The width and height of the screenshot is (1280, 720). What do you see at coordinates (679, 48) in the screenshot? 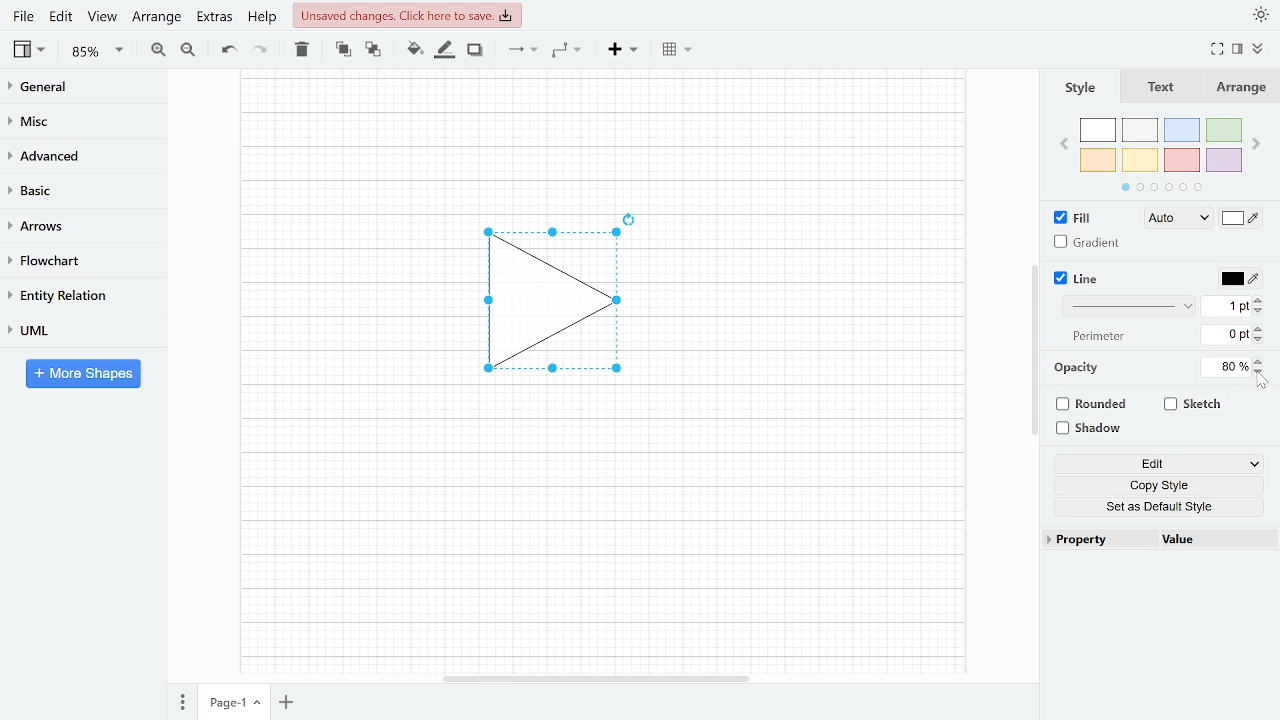
I see `Table` at bounding box center [679, 48].